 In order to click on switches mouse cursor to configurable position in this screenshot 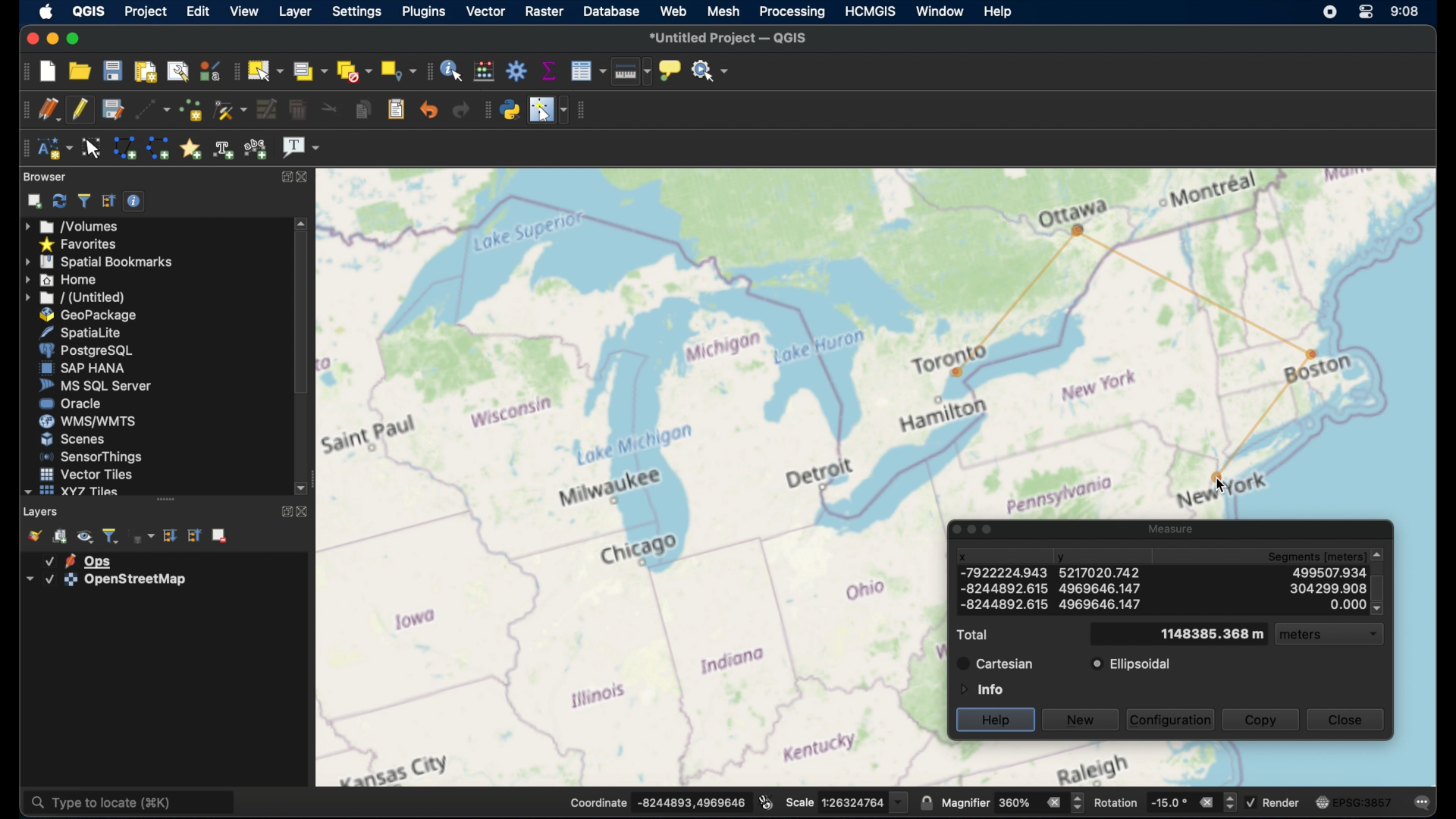, I will do `click(549, 110)`.